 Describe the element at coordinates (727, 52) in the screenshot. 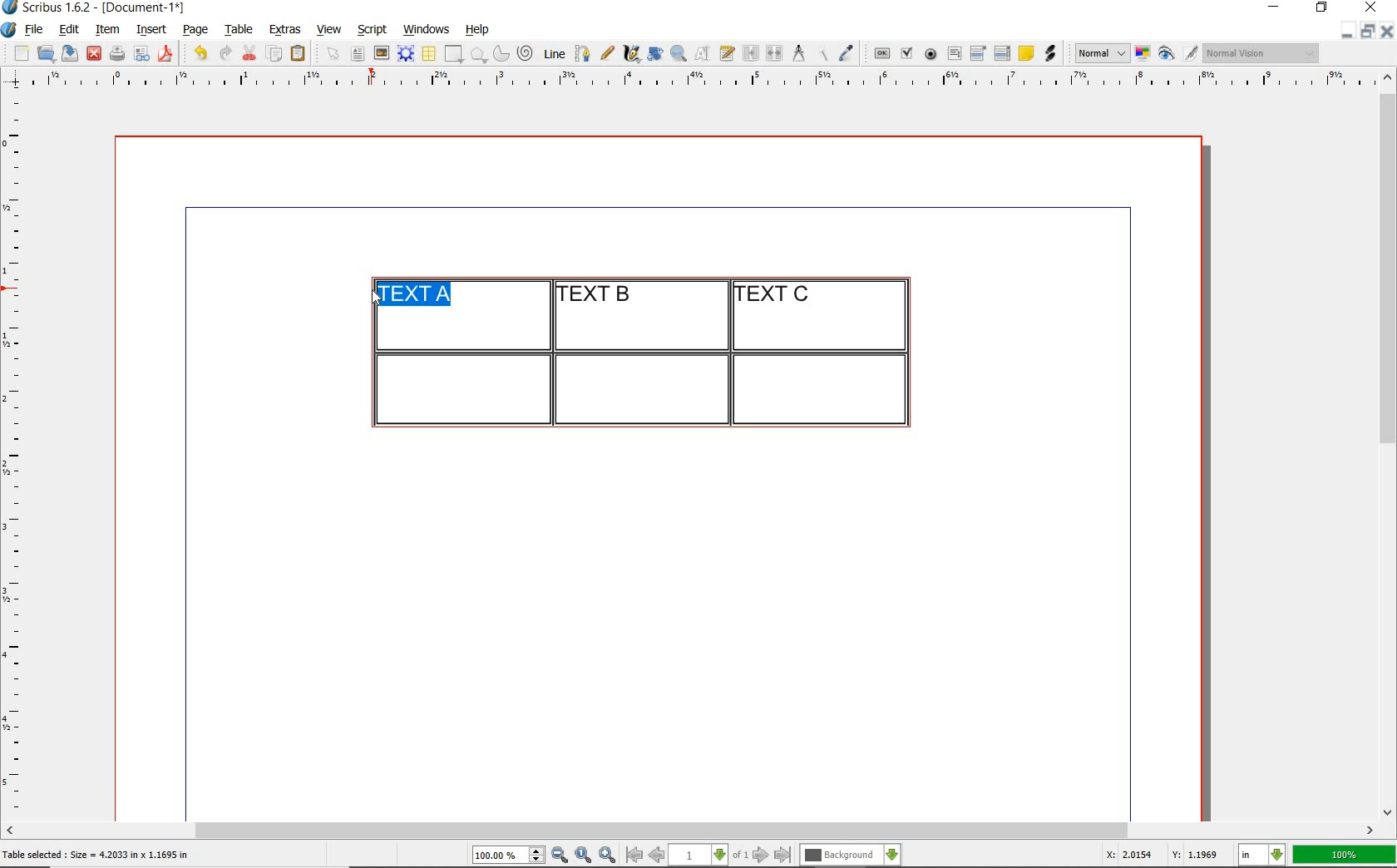

I see `edit text with story editor` at that location.